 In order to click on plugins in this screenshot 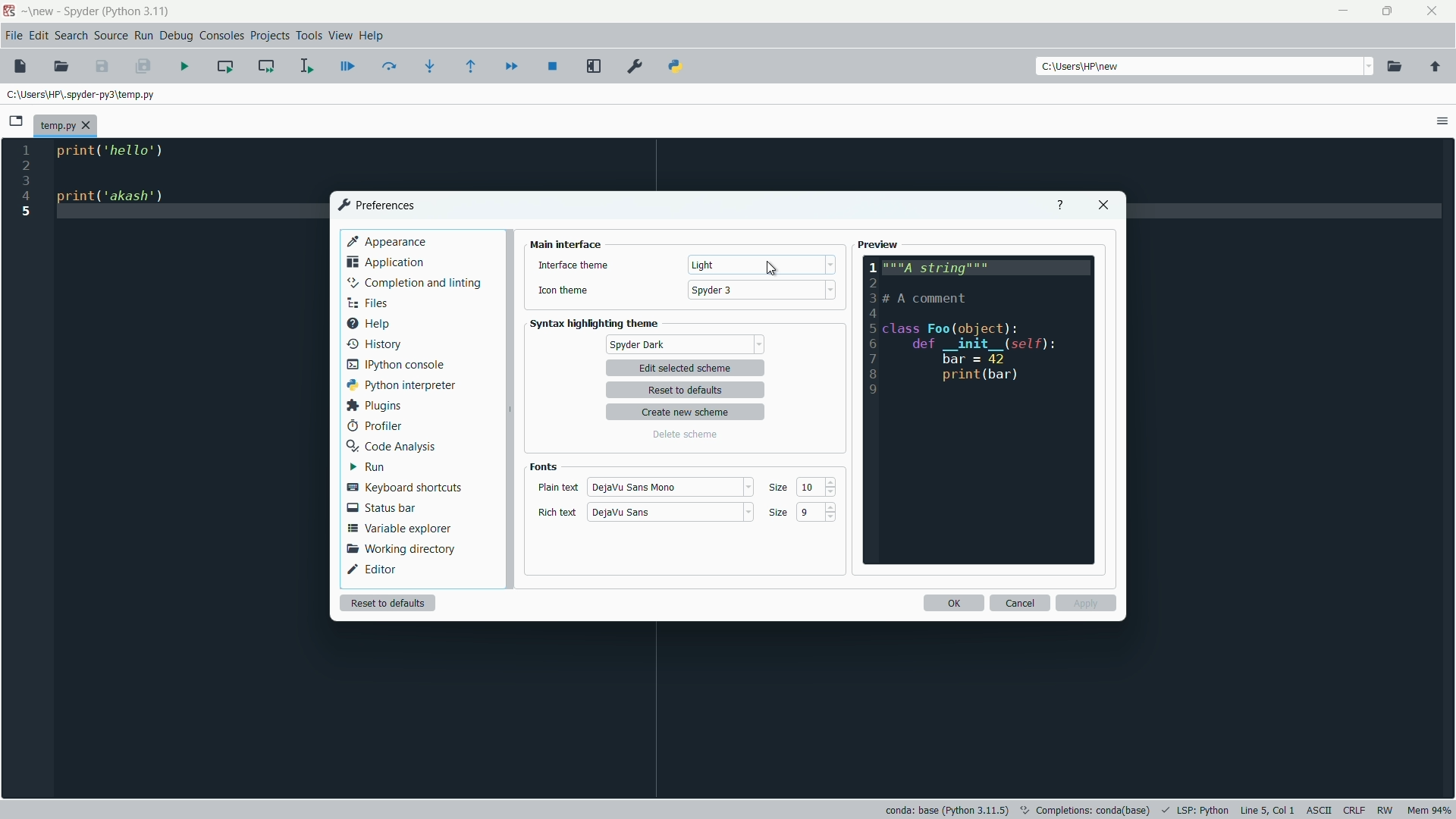, I will do `click(372, 406)`.